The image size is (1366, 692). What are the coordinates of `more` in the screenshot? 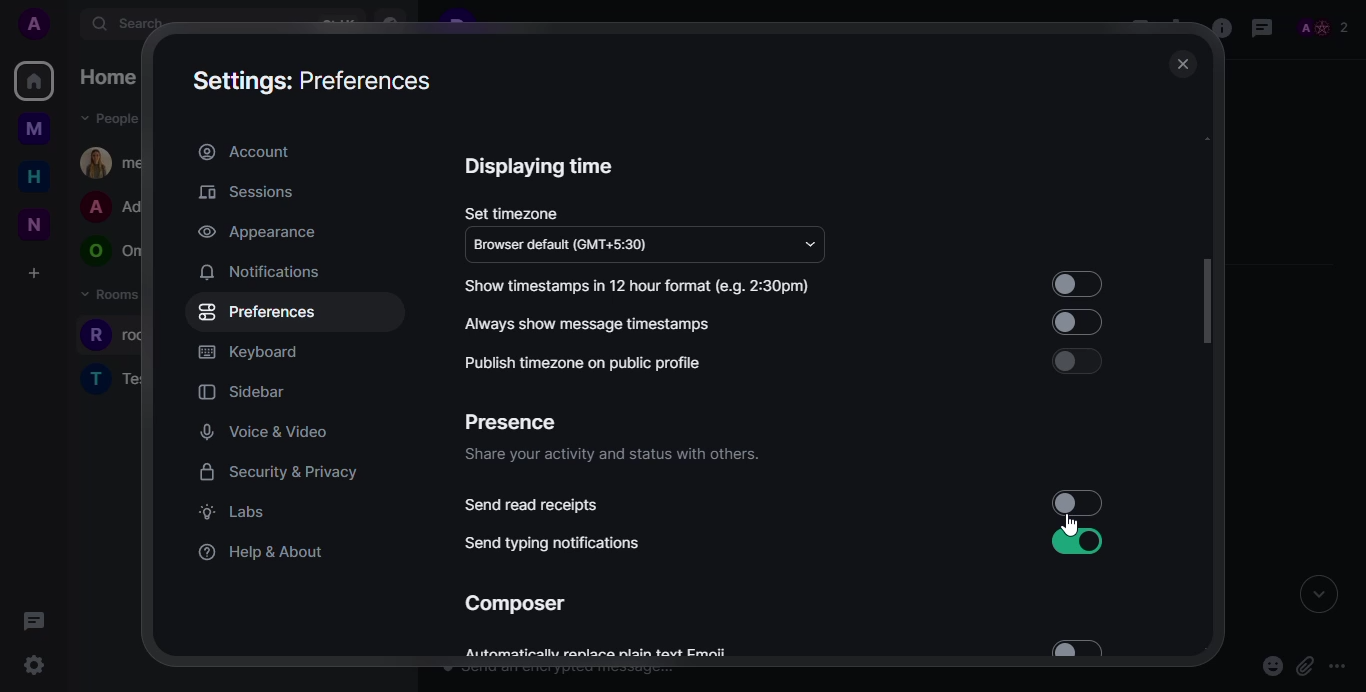 It's located at (1340, 665).